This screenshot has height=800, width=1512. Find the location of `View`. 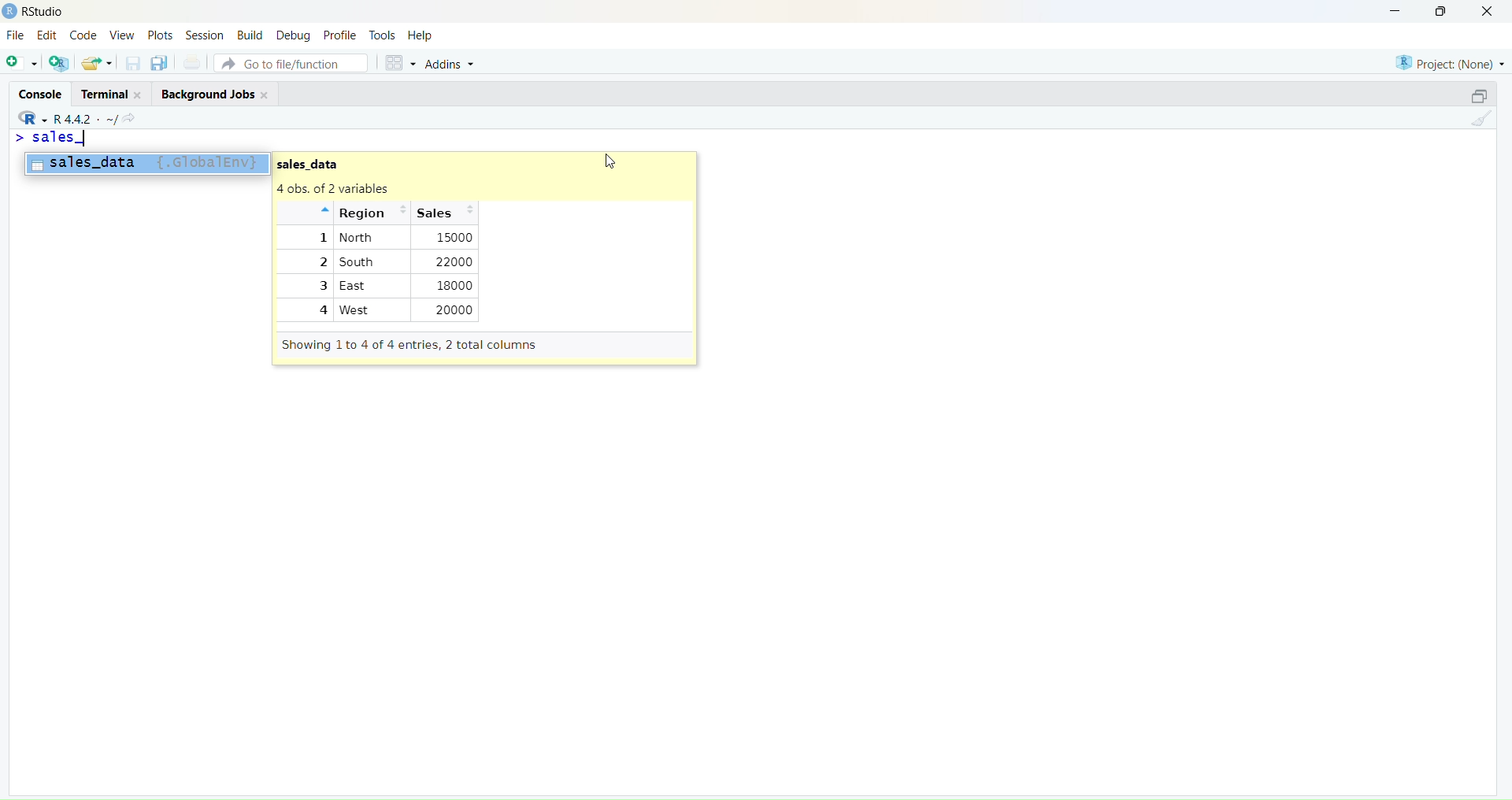

View is located at coordinates (124, 36).